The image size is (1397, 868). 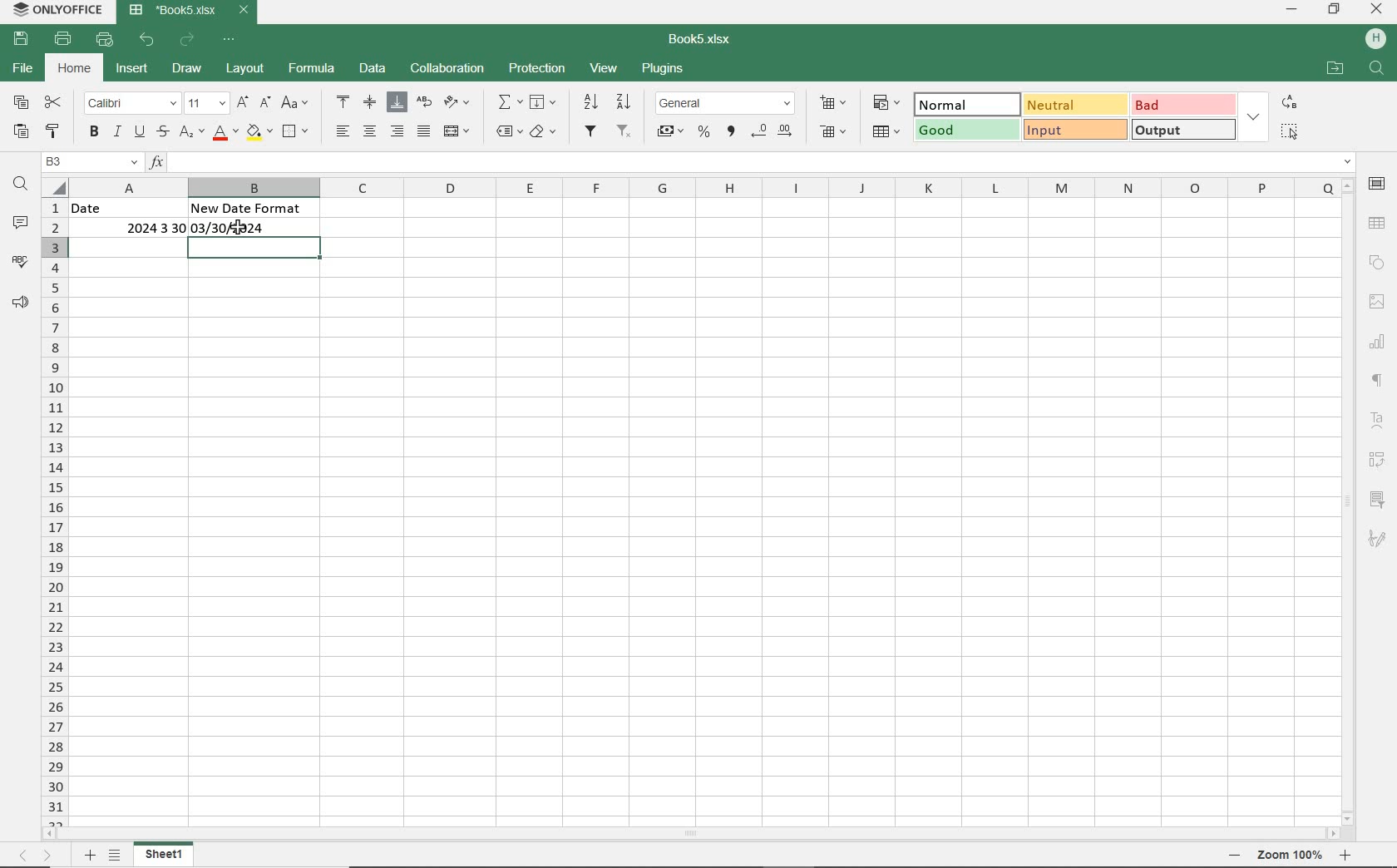 I want to click on BOLD, so click(x=95, y=132).